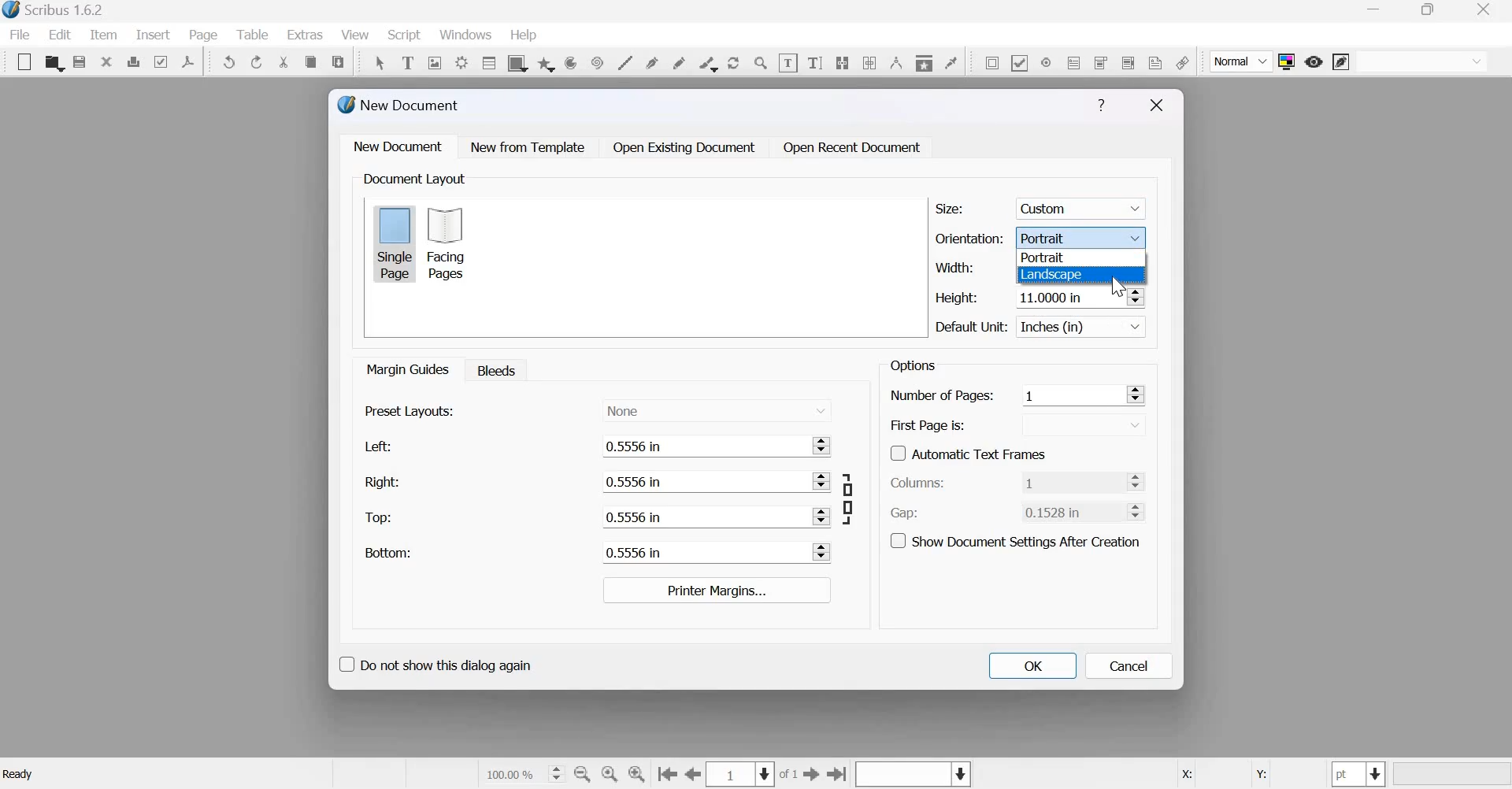 The height and width of the screenshot is (789, 1512). Describe the element at coordinates (715, 590) in the screenshot. I see `Printer margins` at that location.